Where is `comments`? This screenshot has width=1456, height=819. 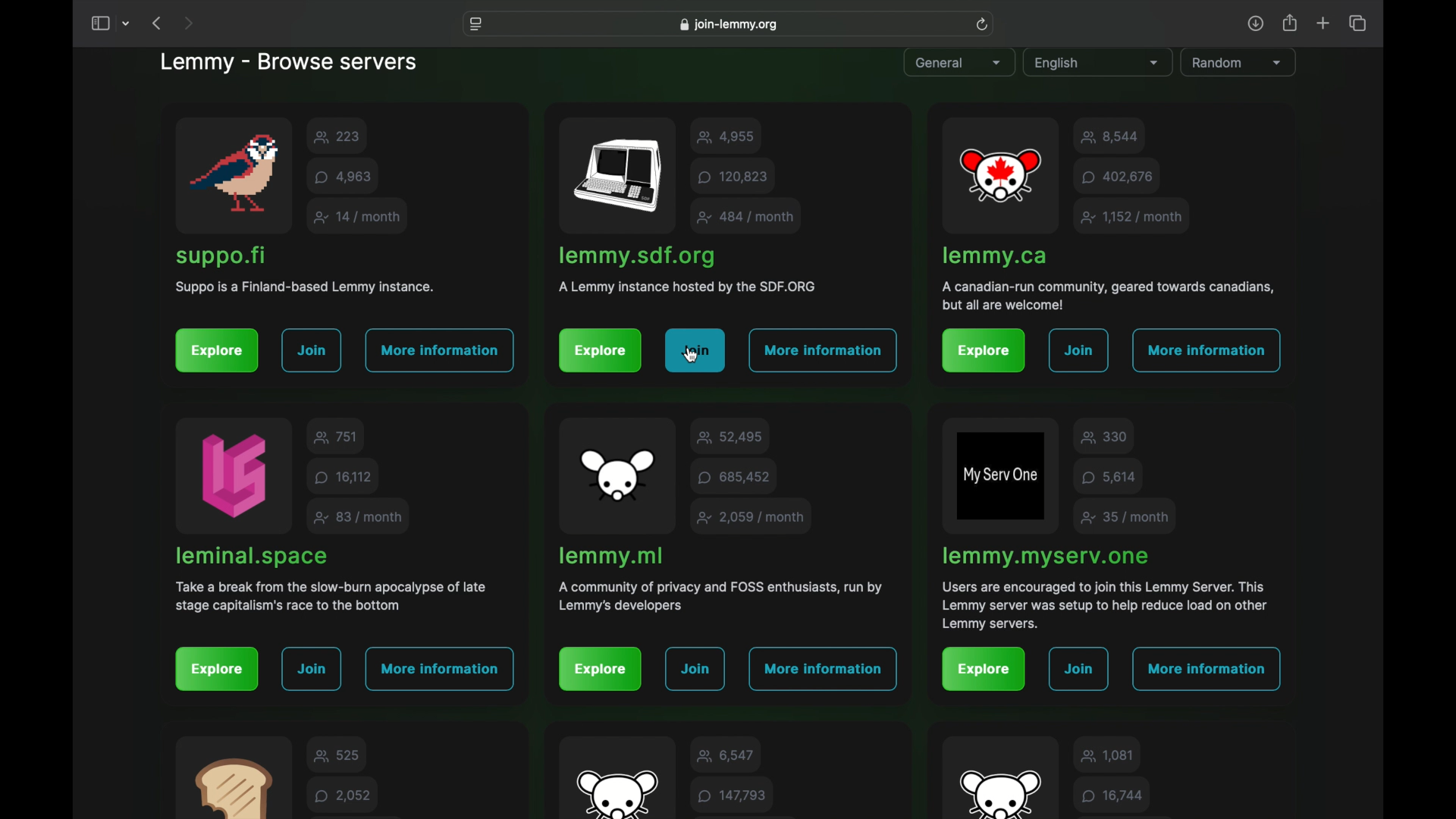
comments is located at coordinates (1109, 478).